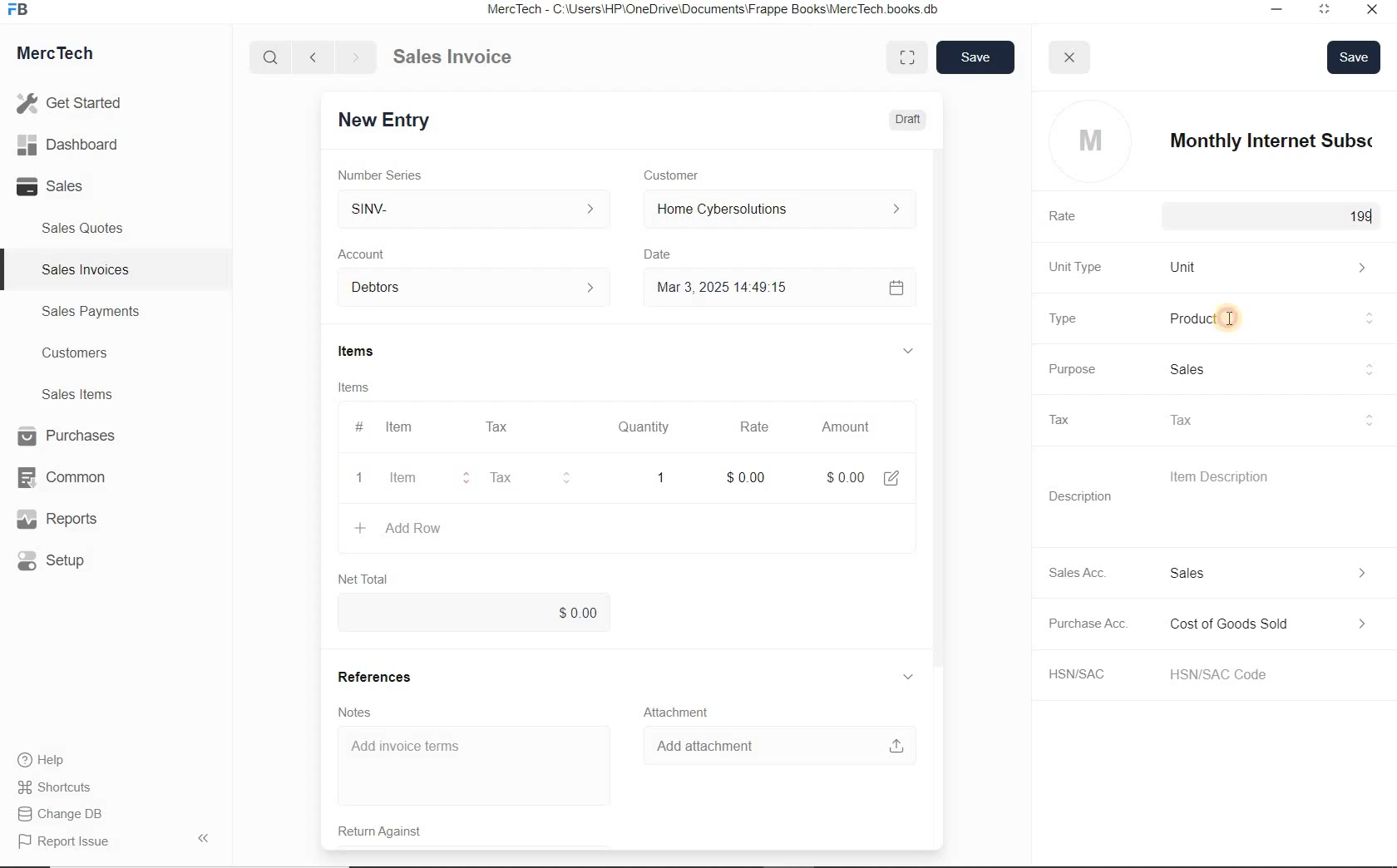 The image size is (1397, 868). I want to click on item, so click(407, 480).